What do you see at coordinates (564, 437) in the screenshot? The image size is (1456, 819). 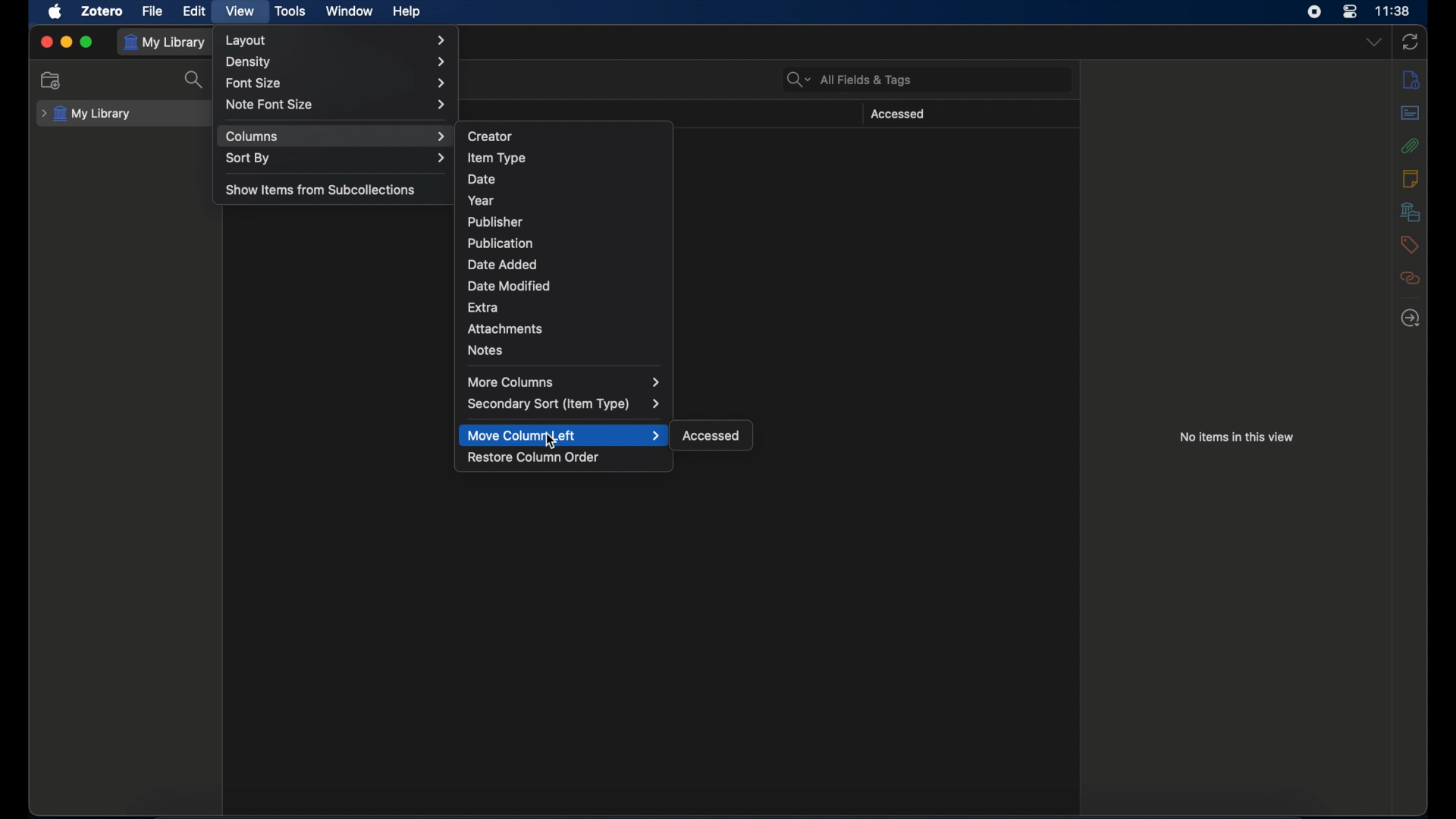 I see `move column left` at bounding box center [564, 437].